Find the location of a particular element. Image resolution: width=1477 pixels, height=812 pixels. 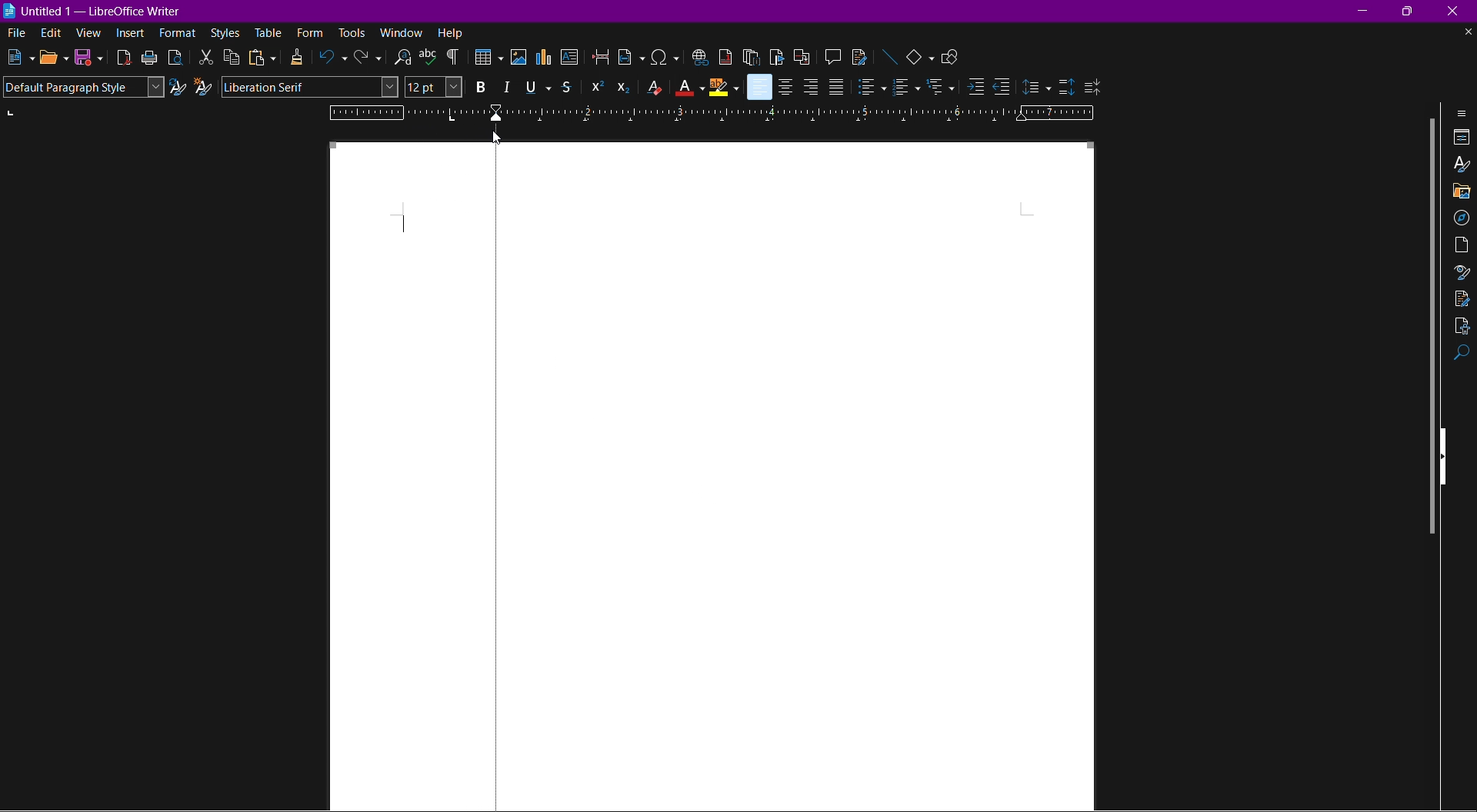

Spellcheck is located at coordinates (428, 57).